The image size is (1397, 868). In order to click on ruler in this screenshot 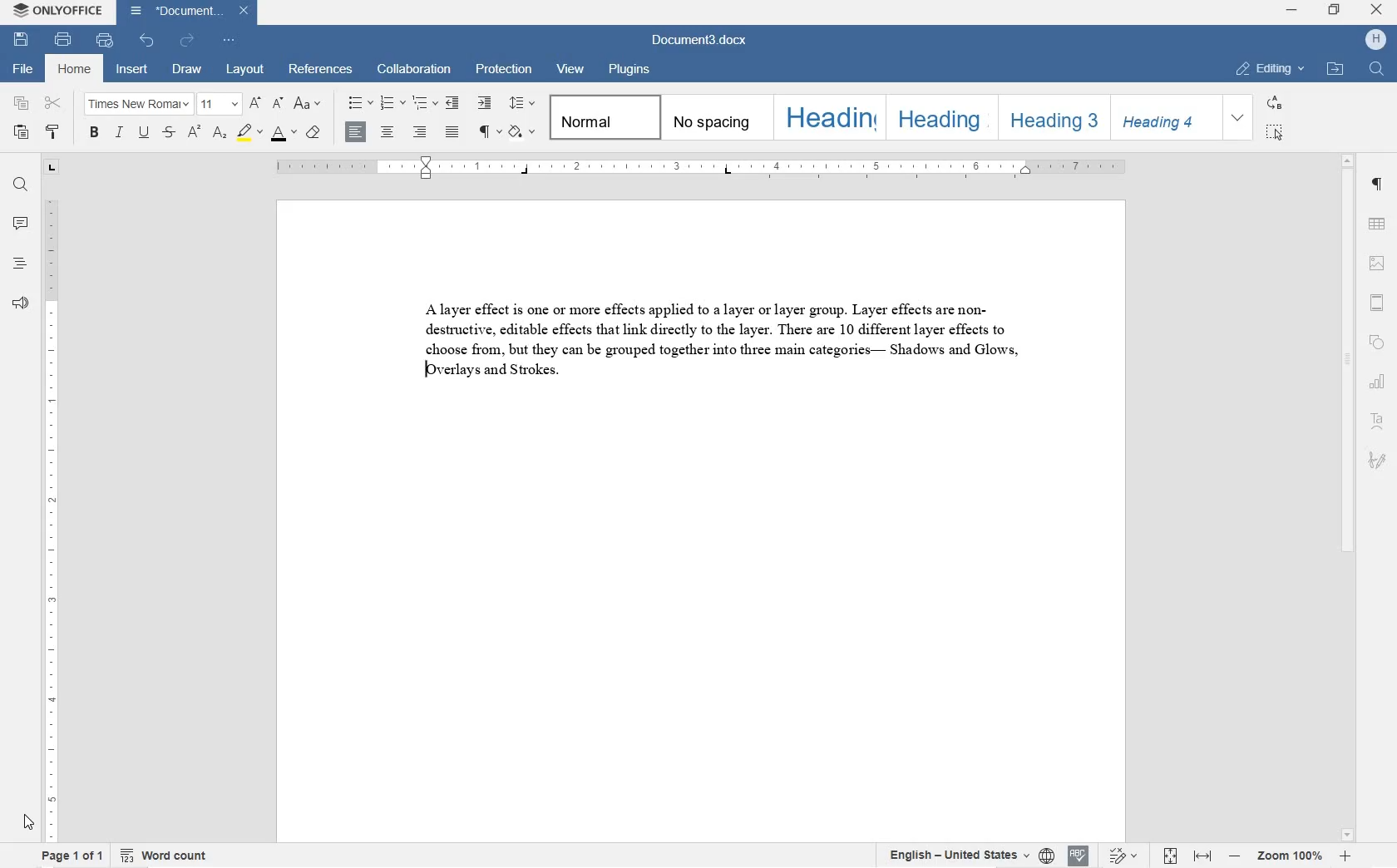, I will do `click(702, 168)`.